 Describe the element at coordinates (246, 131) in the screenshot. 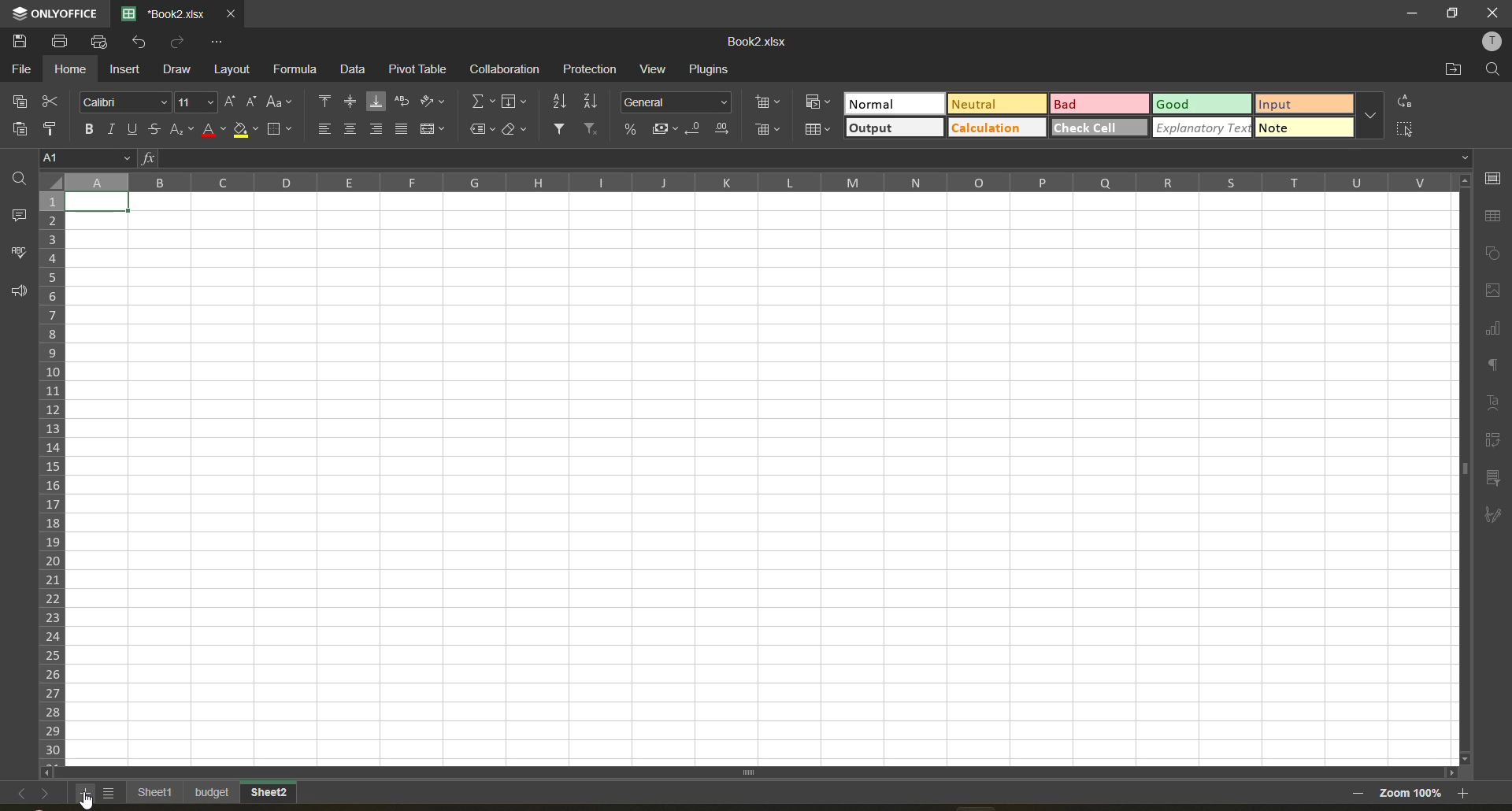

I see `fill color` at that location.